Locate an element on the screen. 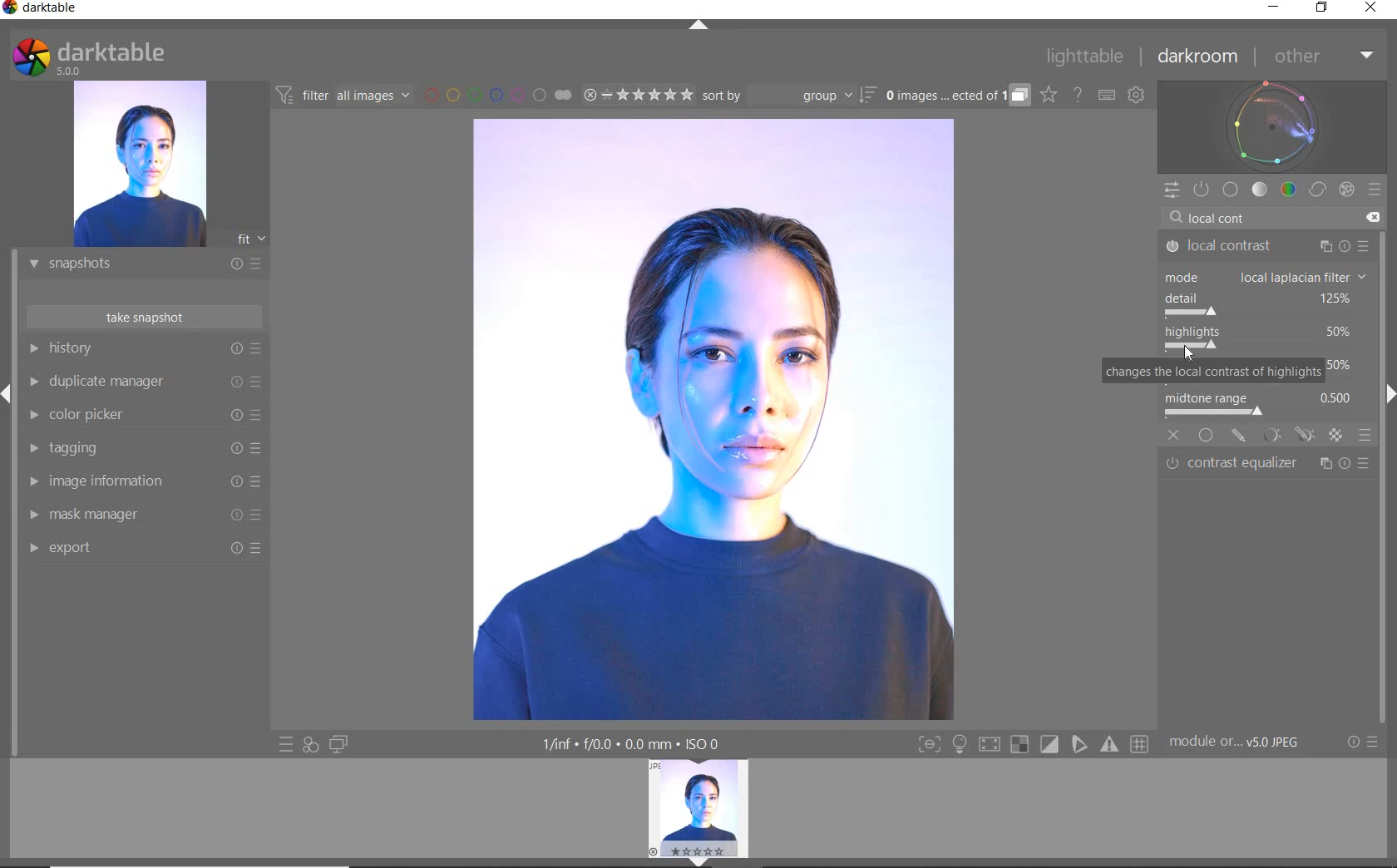 The width and height of the screenshot is (1397, 868). SELECTED IMAGE is located at coordinates (712, 417).